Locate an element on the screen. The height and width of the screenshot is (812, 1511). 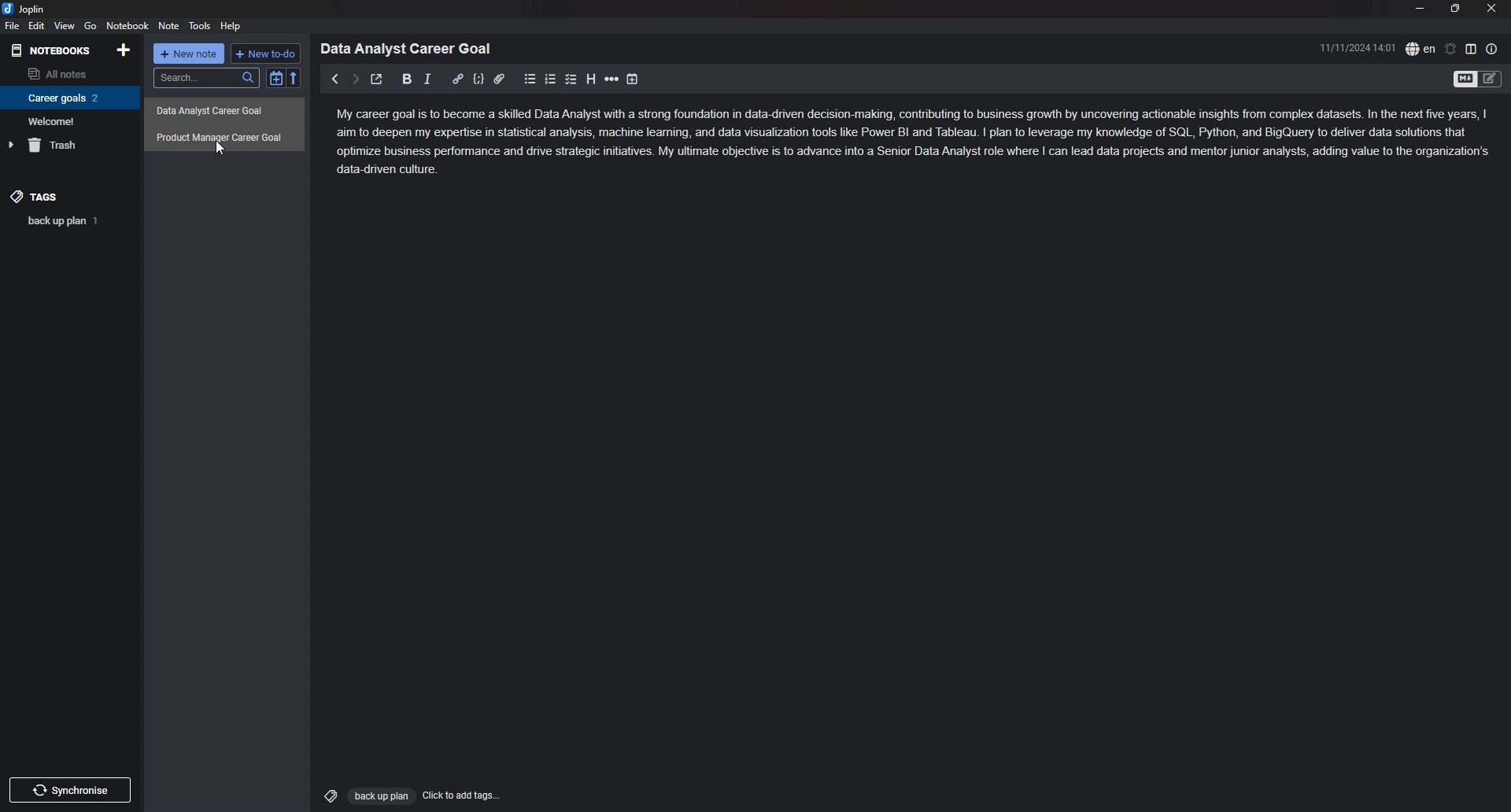
Toggle Editor is located at coordinates (1491, 80).